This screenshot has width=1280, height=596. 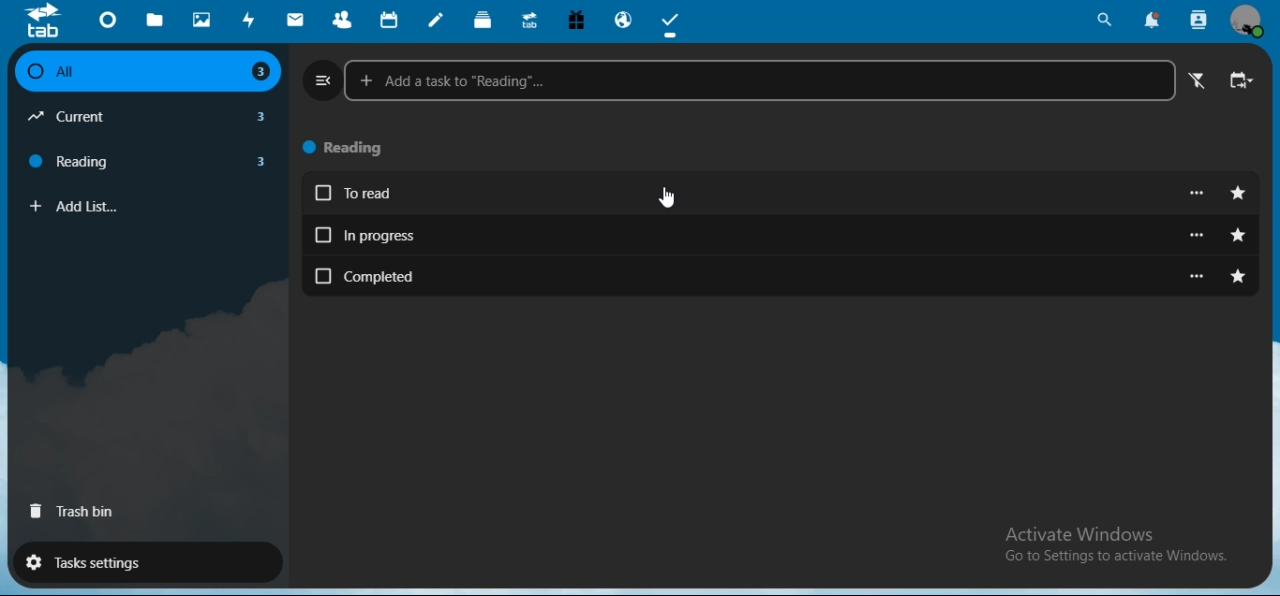 I want to click on tasks settings, so click(x=146, y=564).